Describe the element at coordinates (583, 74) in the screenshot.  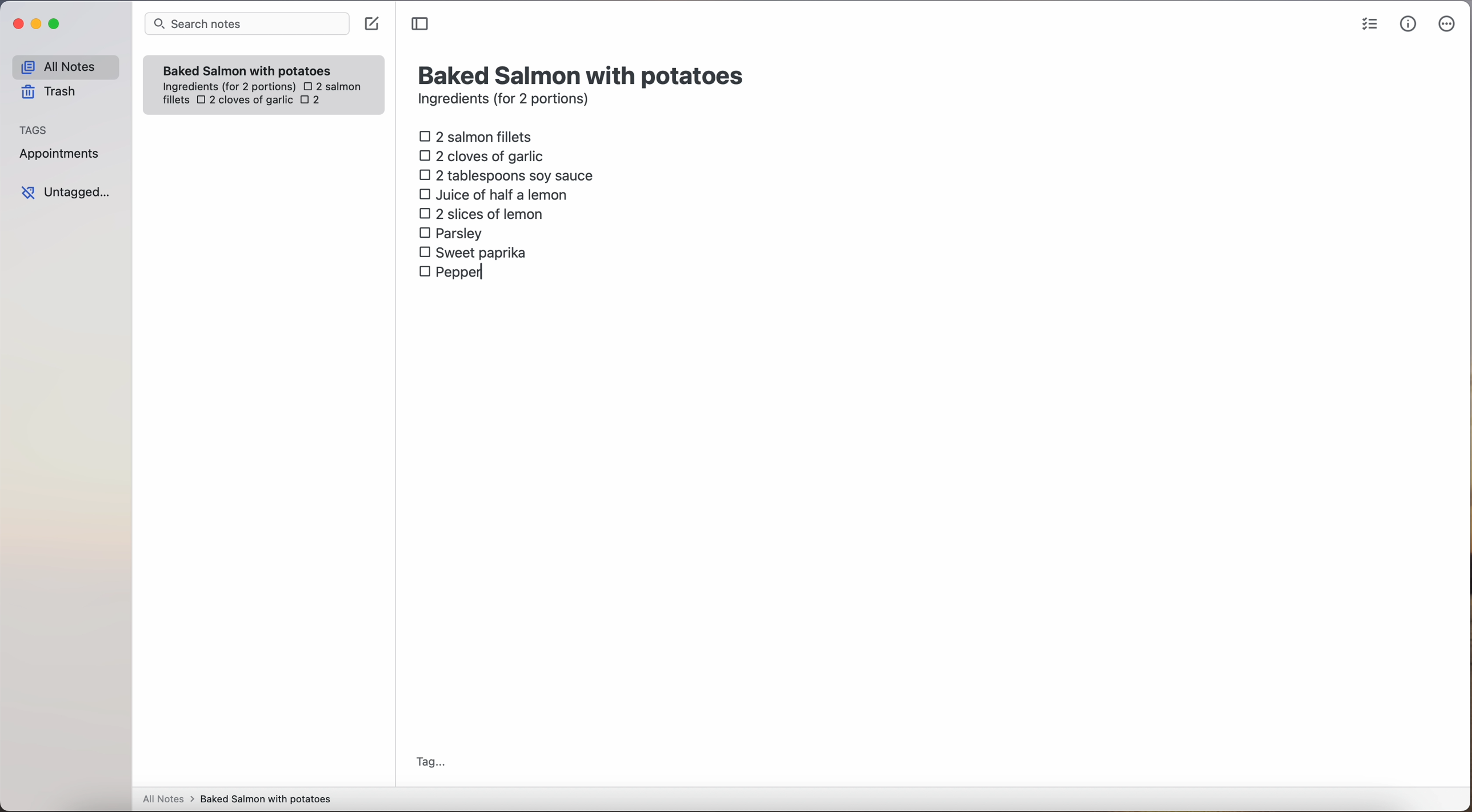
I see `title: Baked Salmon with potatoes` at that location.